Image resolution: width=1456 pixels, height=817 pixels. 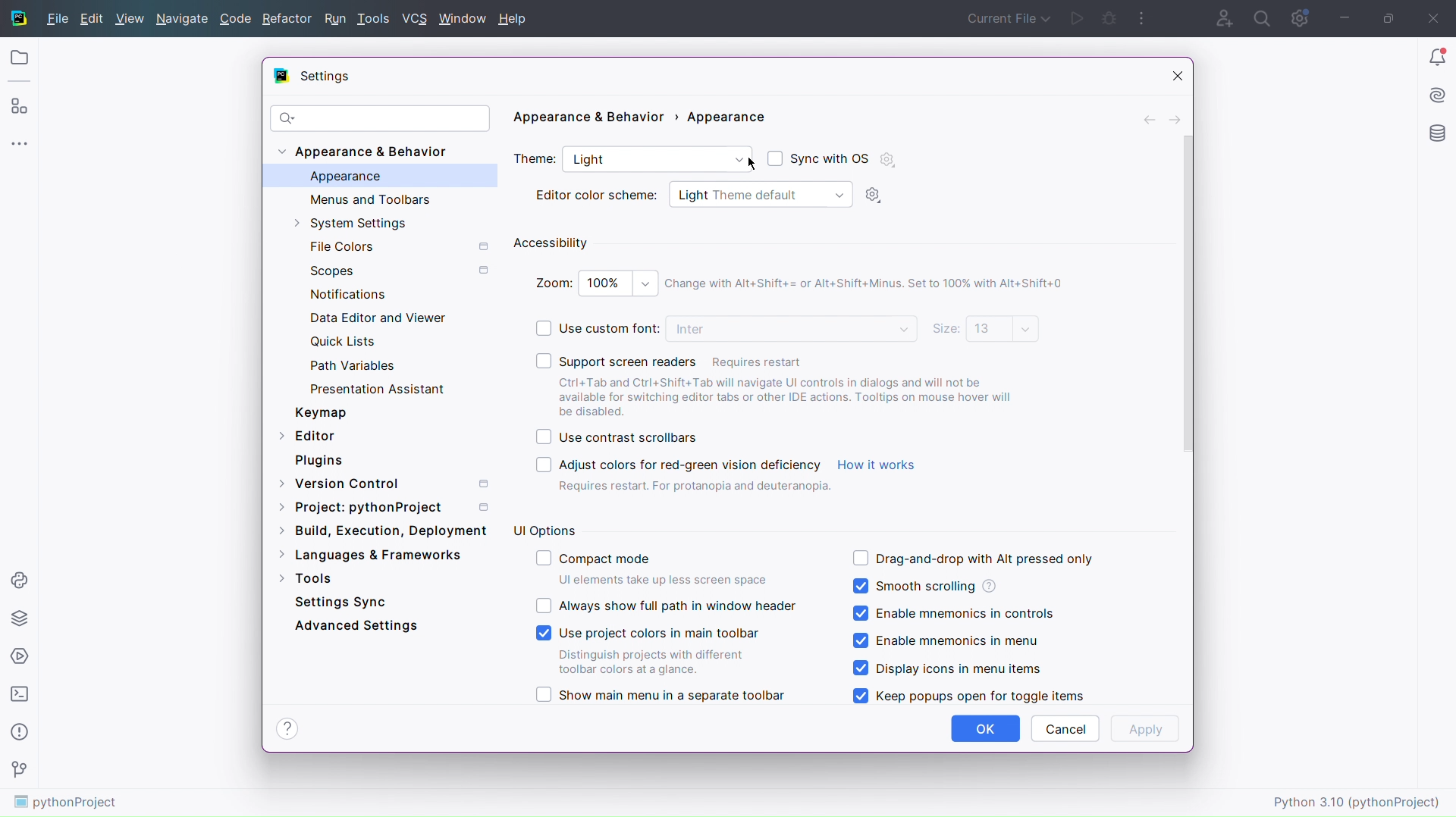 What do you see at coordinates (967, 696) in the screenshot?
I see `Keep popups open for toggle items` at bounding box center [967, 696].